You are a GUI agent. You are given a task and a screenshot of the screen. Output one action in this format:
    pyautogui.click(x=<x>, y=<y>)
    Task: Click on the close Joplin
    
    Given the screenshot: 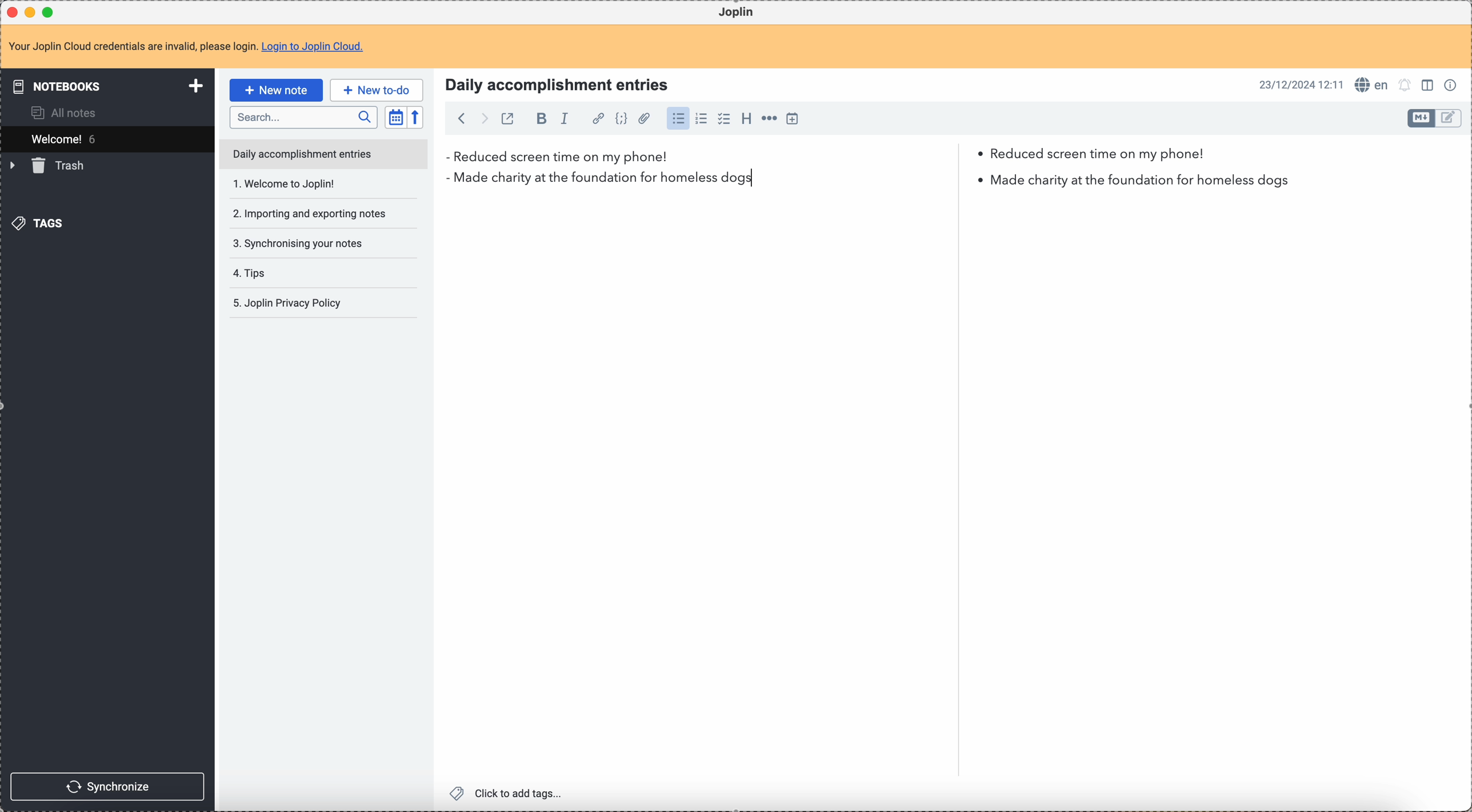 What is the action you would take?
    pyautogui.click(x=14, y=12)
    